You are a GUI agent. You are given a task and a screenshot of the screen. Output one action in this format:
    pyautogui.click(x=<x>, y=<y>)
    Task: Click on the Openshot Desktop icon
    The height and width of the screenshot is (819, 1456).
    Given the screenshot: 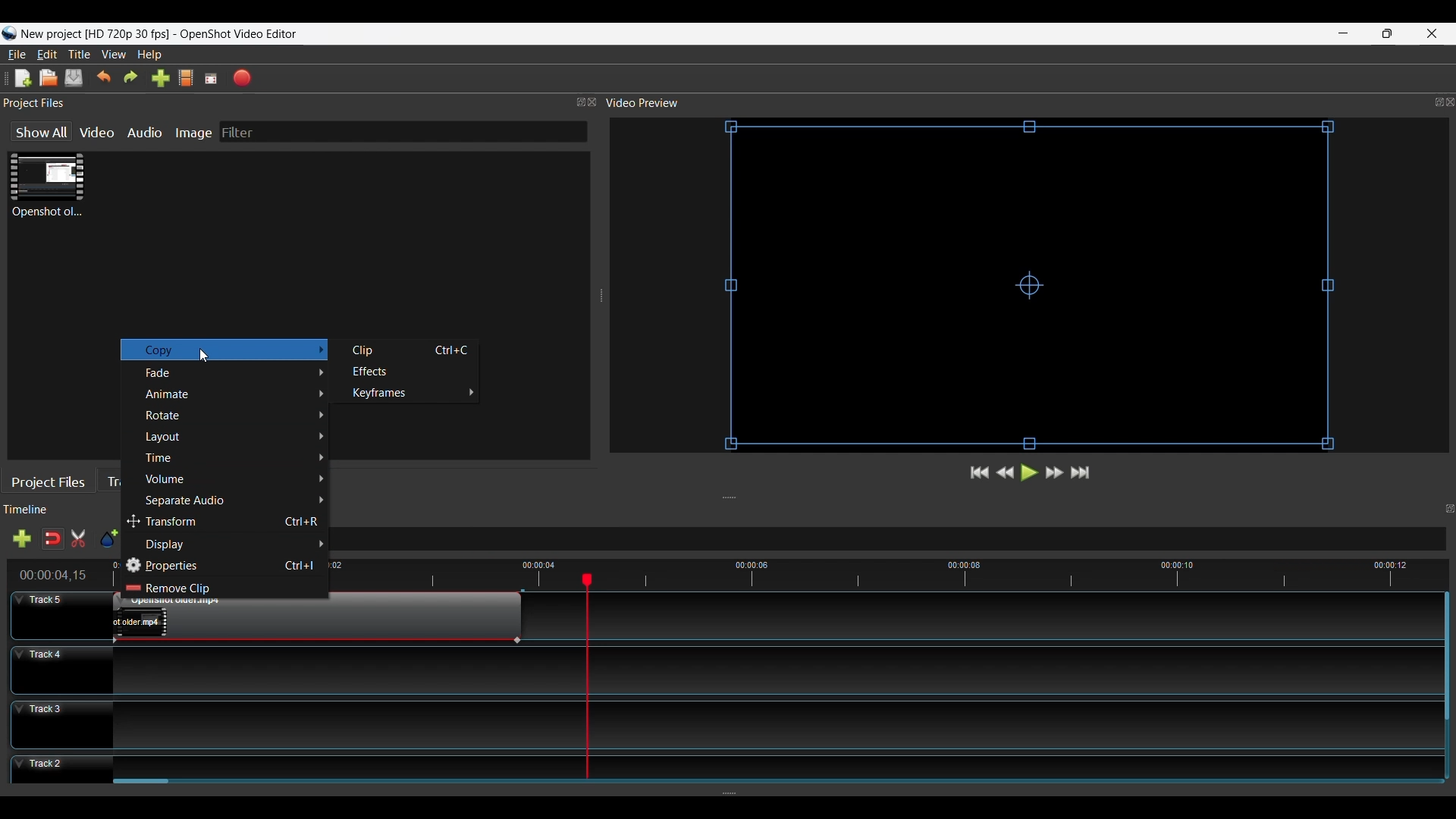 What is the action you would take?
    pyautogui.click(x=9, y=34)
    